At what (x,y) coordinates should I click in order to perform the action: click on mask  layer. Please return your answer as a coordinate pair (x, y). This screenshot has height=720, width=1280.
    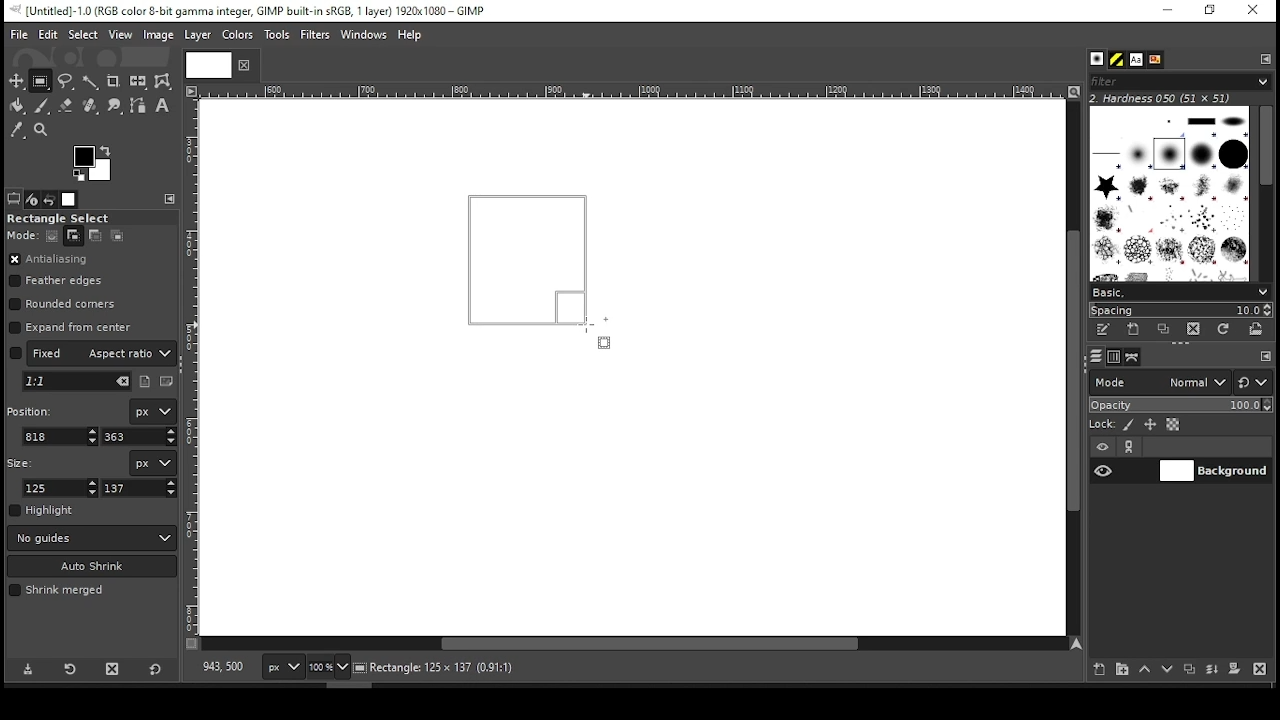
    Looking at the image, I should click on (1234, 670).